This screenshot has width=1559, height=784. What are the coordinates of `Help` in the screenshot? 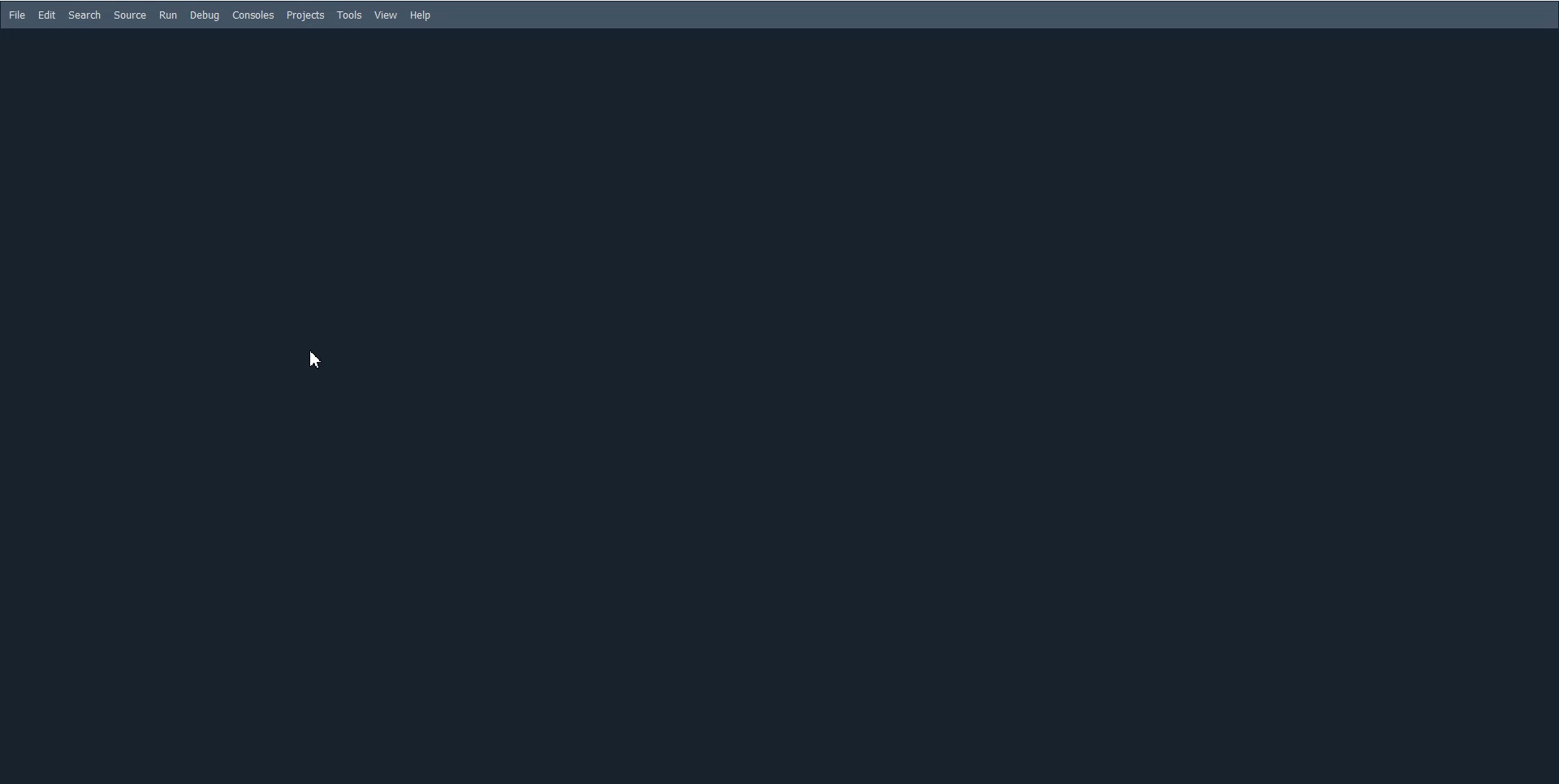 It's located at (422, 15).